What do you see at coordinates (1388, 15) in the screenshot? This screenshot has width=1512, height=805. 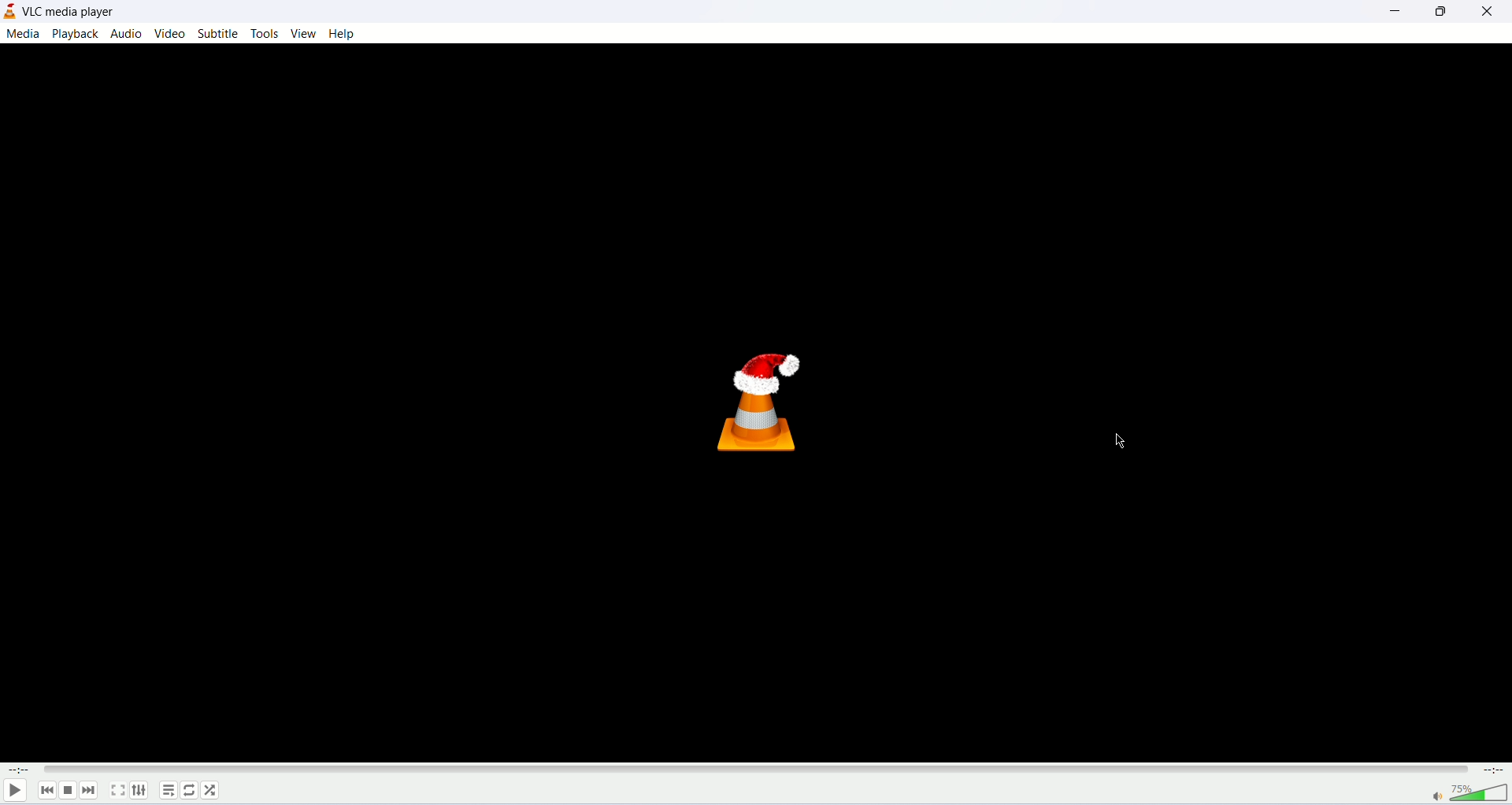 I see `minimize` at bounding box center [1388, 15].